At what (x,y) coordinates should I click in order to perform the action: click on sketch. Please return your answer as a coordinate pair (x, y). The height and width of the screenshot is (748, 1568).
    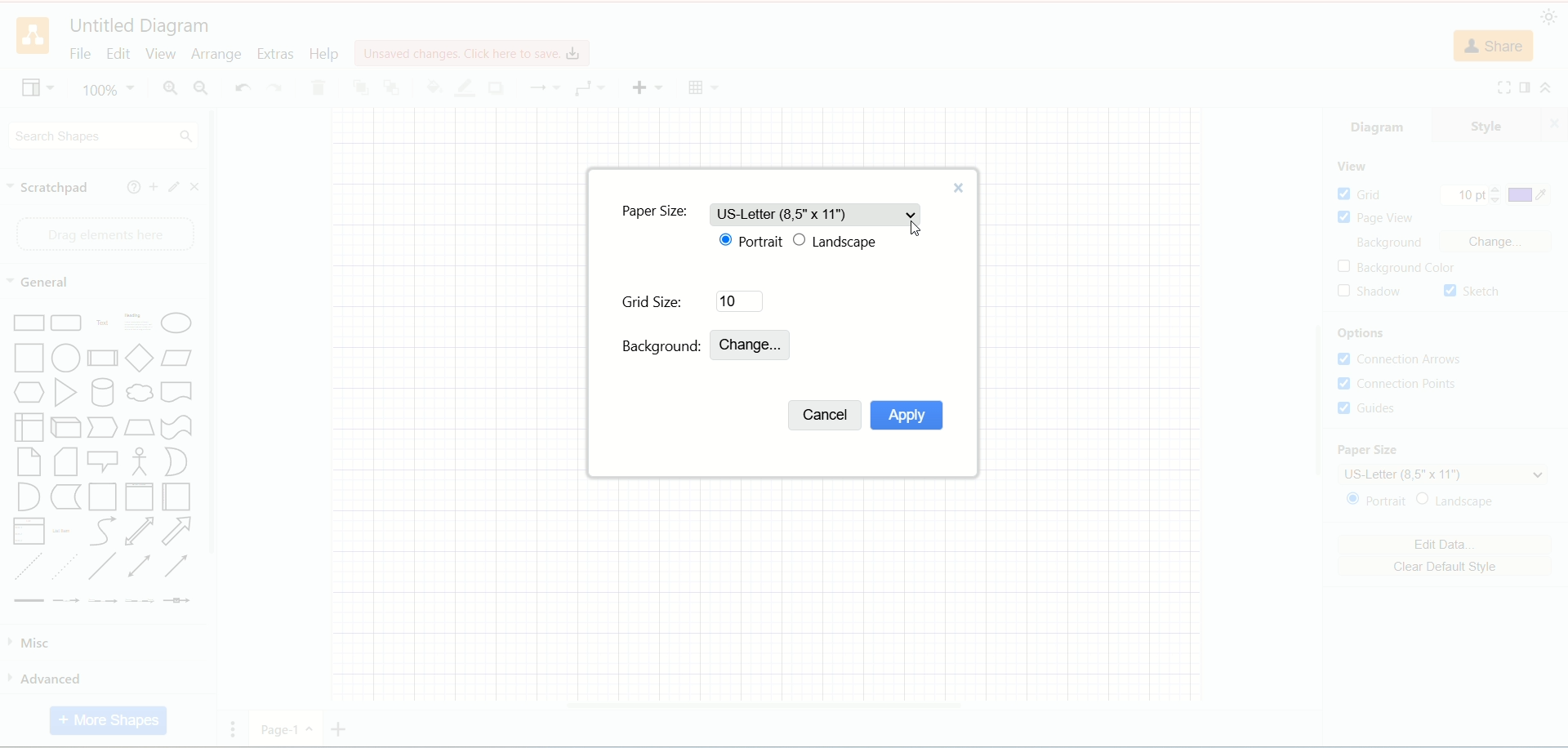
    Looking at the image, I should click on (1472, 292).